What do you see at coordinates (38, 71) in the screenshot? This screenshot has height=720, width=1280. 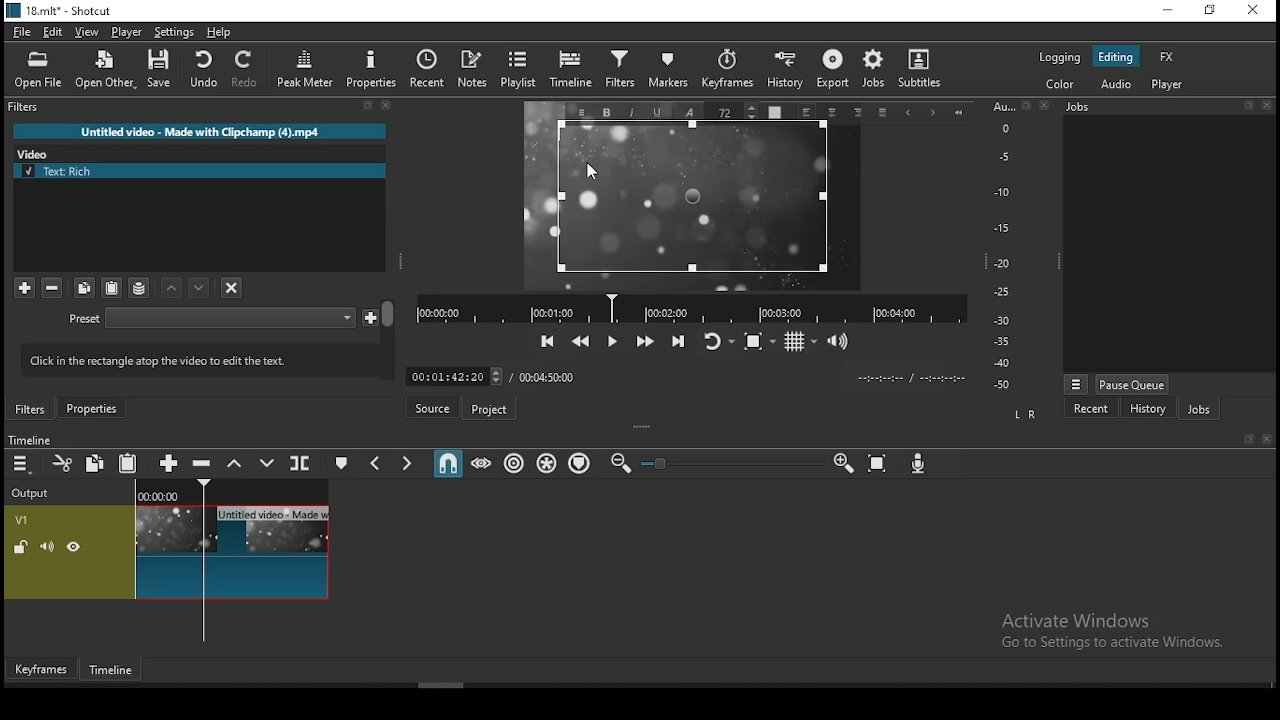 I see `open file` at bounding box center [38, 71].